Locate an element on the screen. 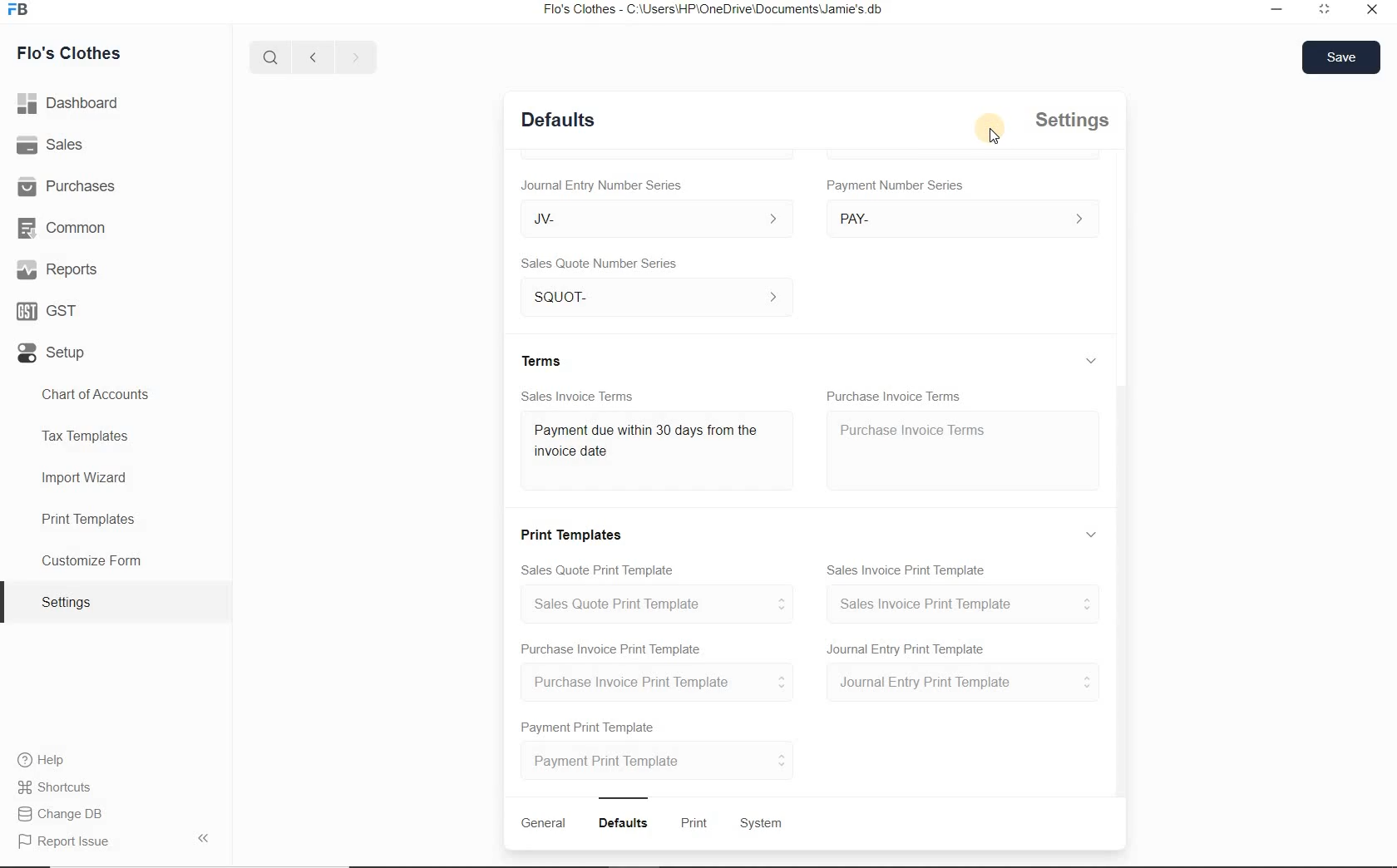 The width and height of the screenshot is (1397, 868). Reports is located at coordinates (56, 269).